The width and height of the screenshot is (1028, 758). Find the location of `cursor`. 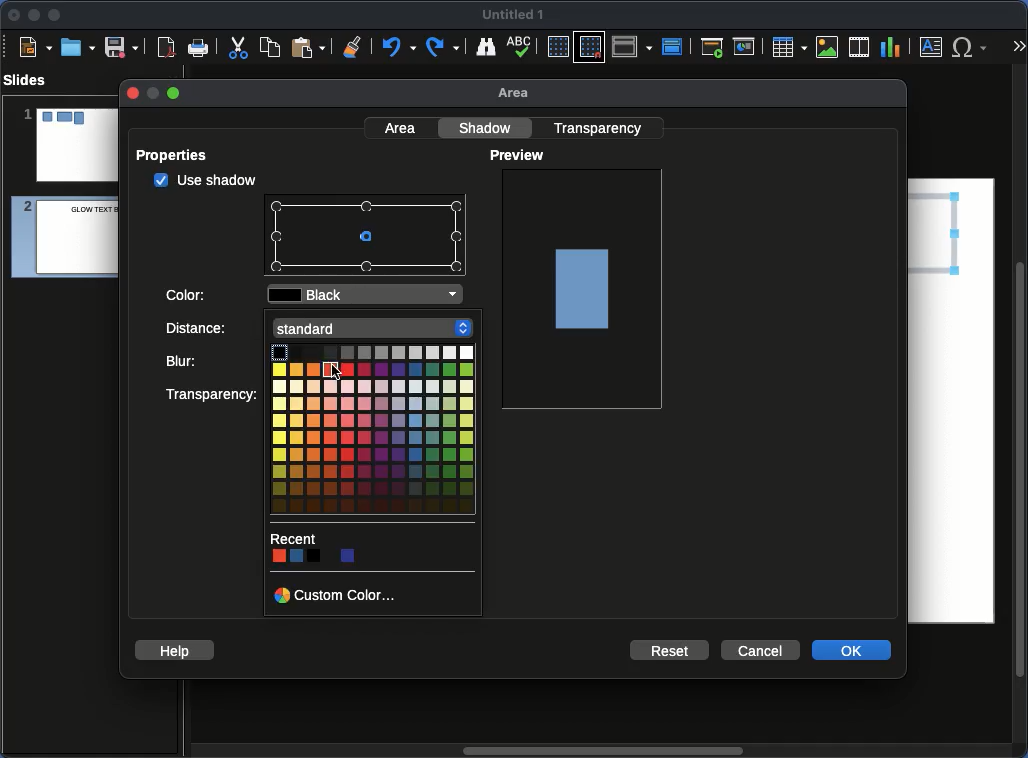

cursor is located at coordinates (335, 373).